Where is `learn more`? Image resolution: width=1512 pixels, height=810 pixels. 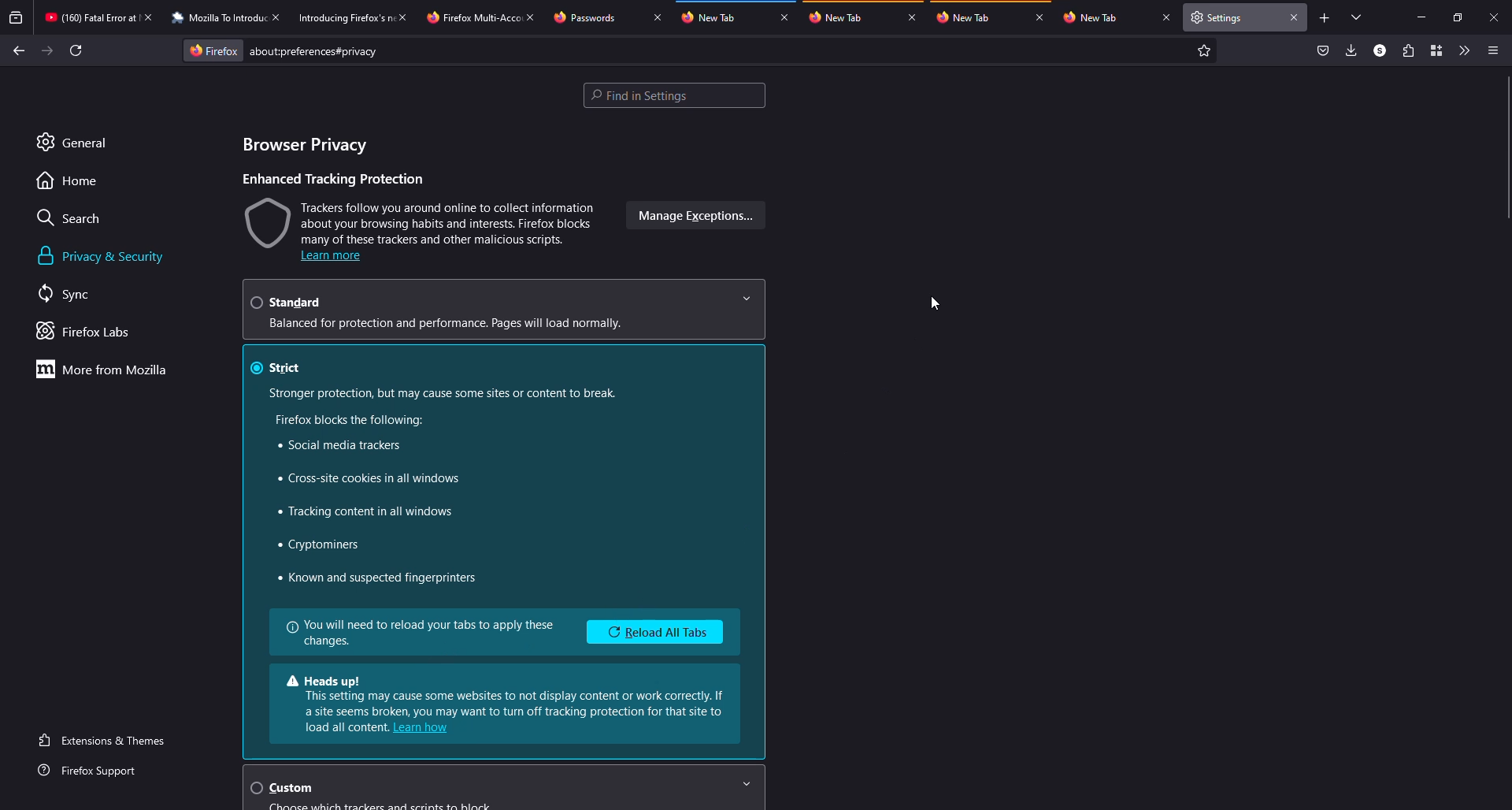 learn more is located at coordinates (332, 257).